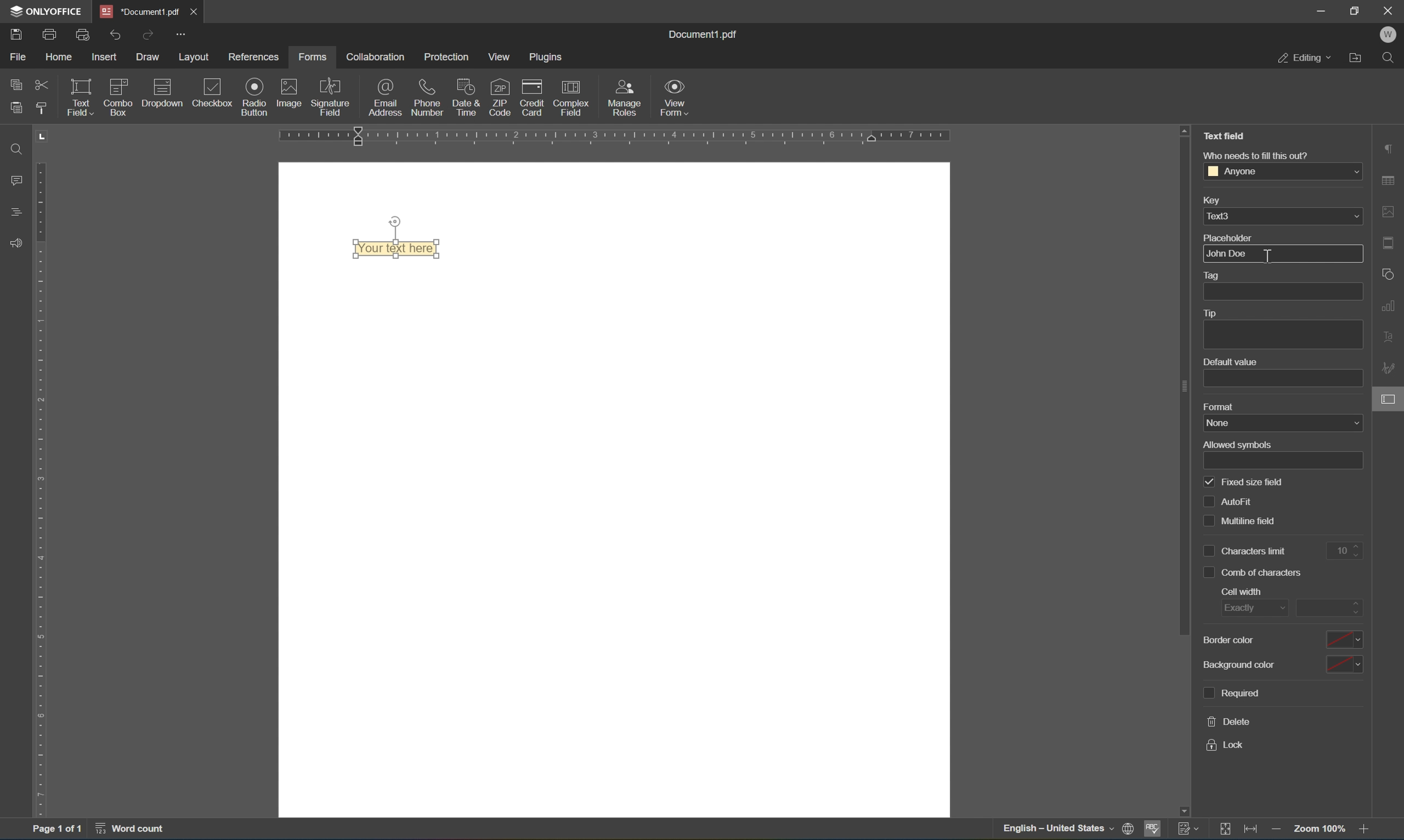 This screenshot has height=840, width=1404. I want to click on auto fill, so click(1231, 501).